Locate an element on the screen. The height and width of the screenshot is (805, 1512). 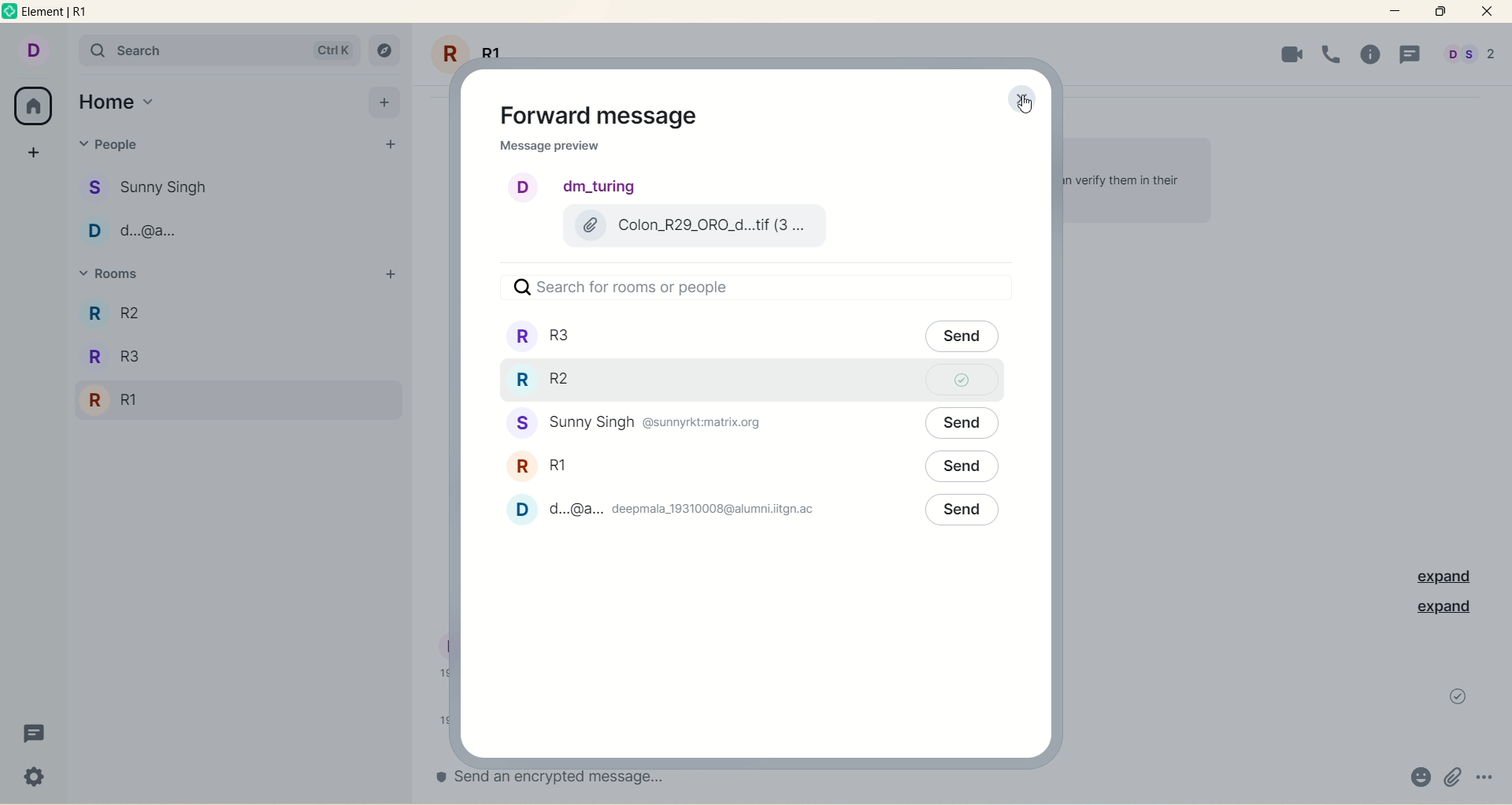
search is located at coordinates (218, 50).